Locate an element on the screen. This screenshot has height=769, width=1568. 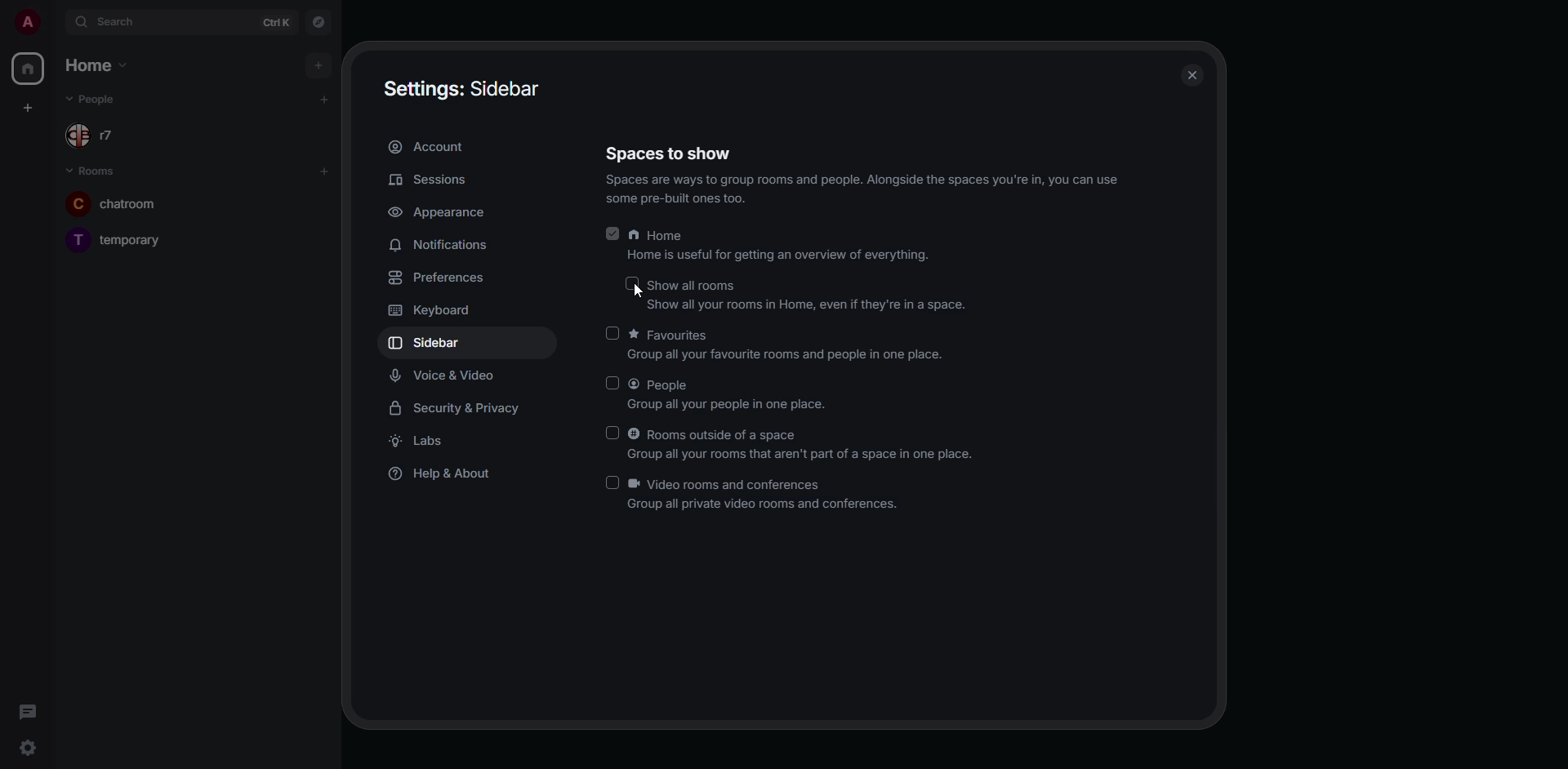
threads is located at coordinates (27, 713).